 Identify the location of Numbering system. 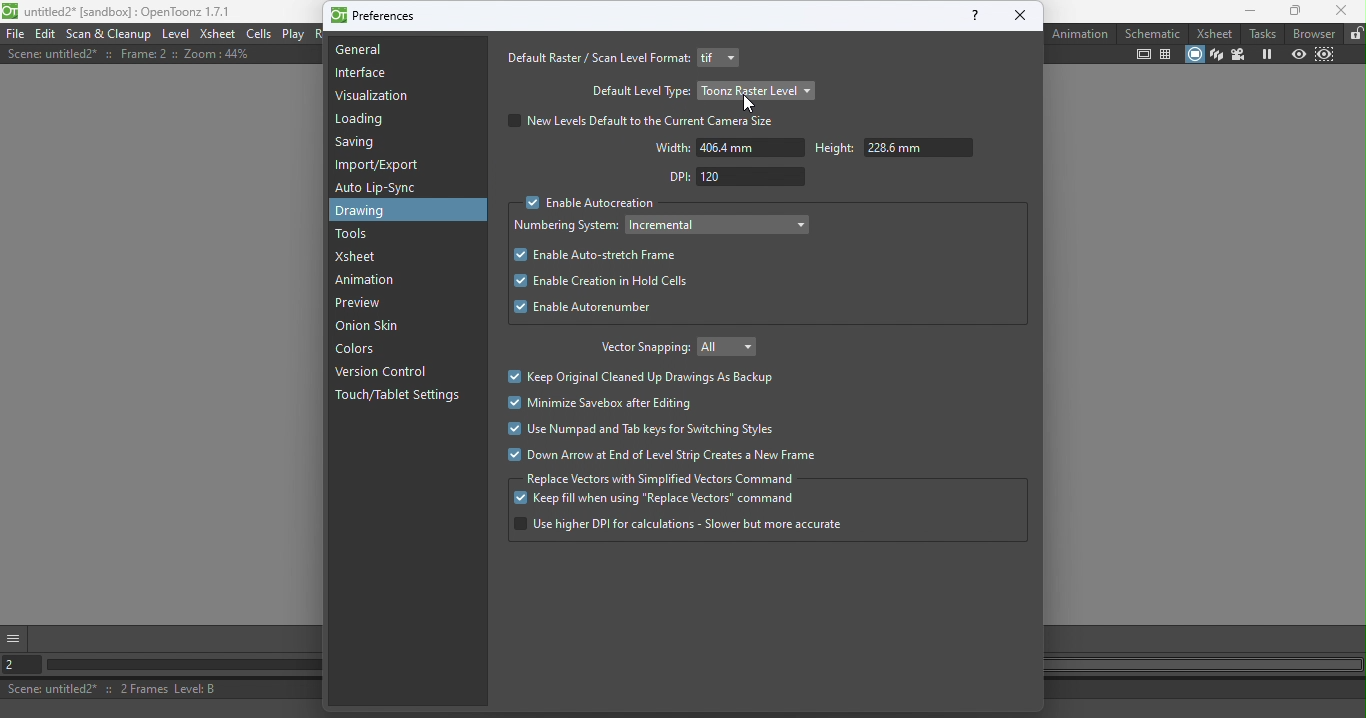
(568, 227).